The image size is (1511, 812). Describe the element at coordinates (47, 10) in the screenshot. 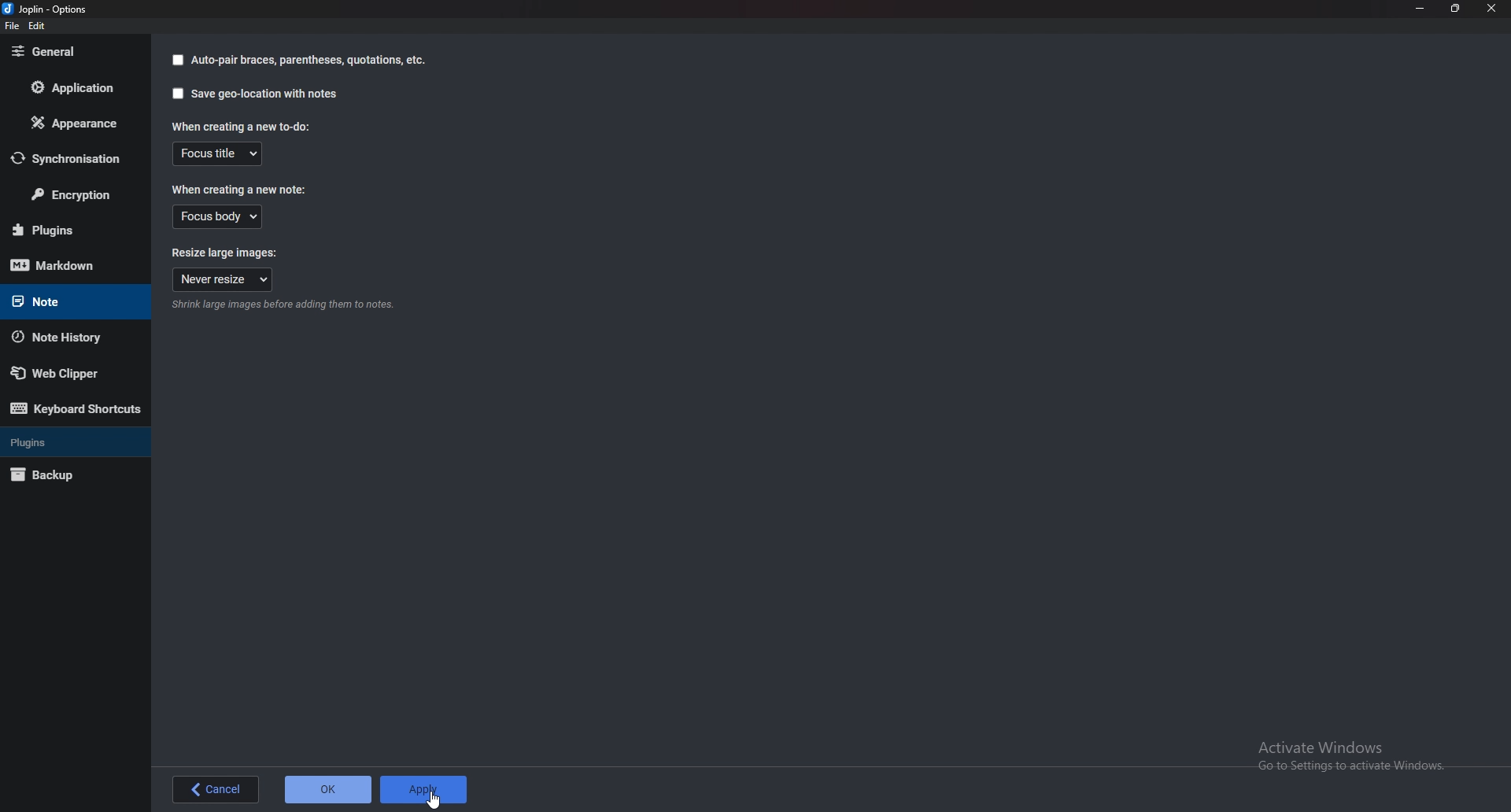

I see `joplin` at that location.